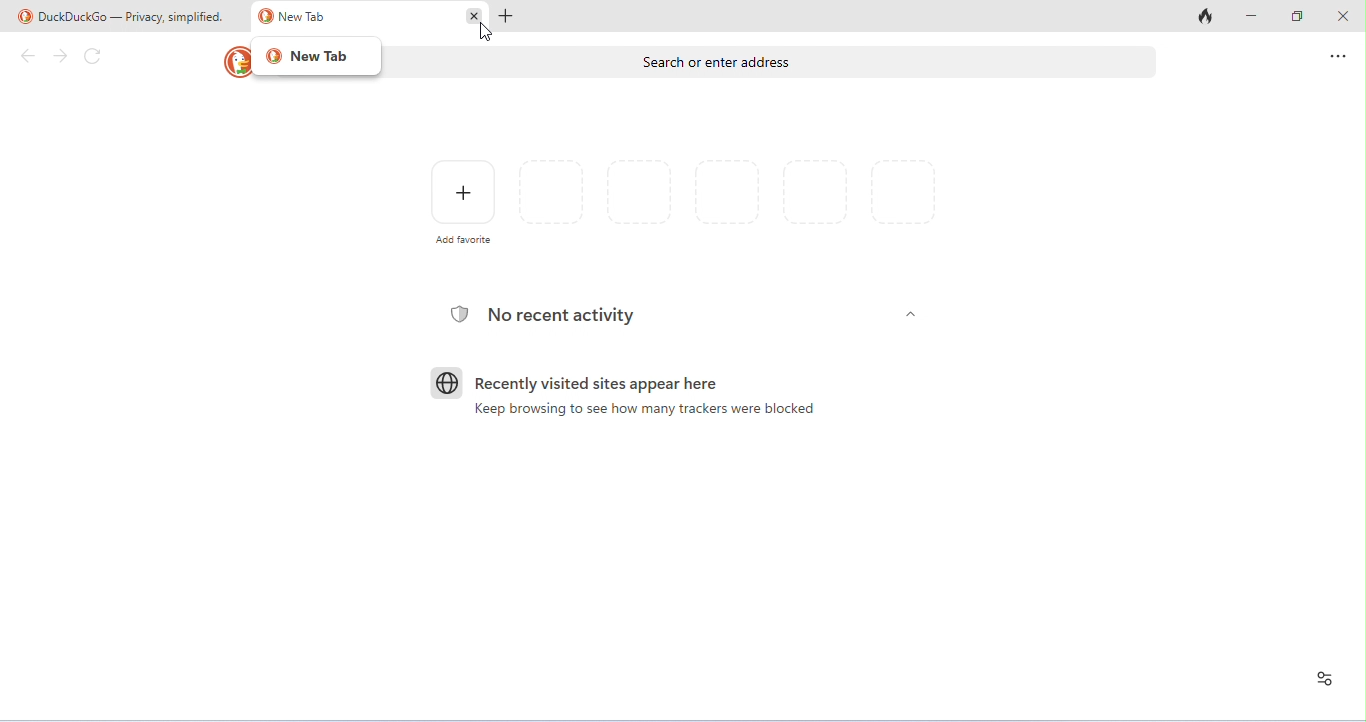 Image resolution: width=1366 pixels, height=722 pixels. Describe the element at coordinates (905, 199) in the screenshot. I see `favorites and recently visited pages` at that location.